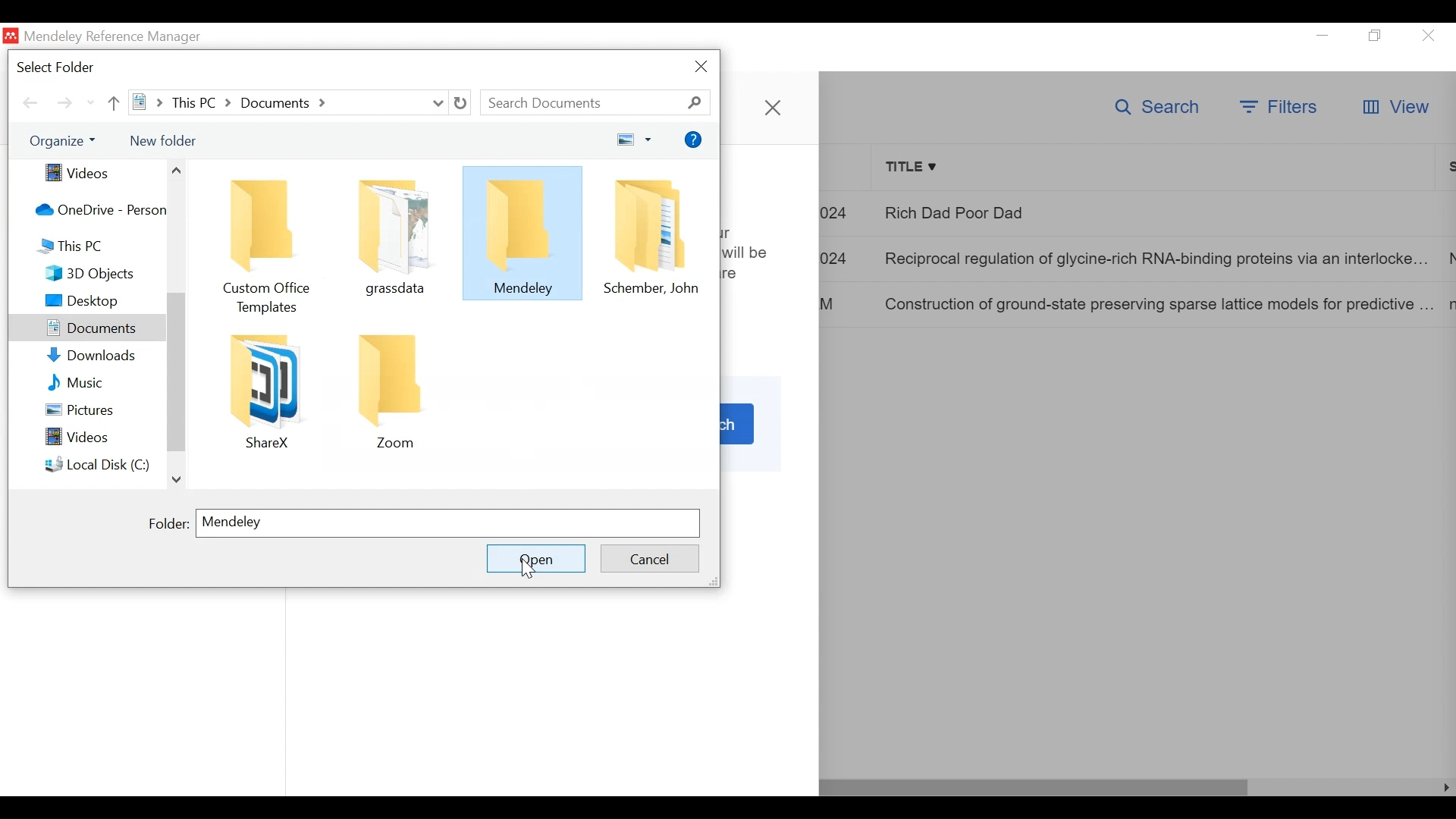 The height and width of the screenshot is (819, 1456). What do you see at coordinates (392, 234) in the screenshot?
I see `Folder` at bounding box center [392, 234].